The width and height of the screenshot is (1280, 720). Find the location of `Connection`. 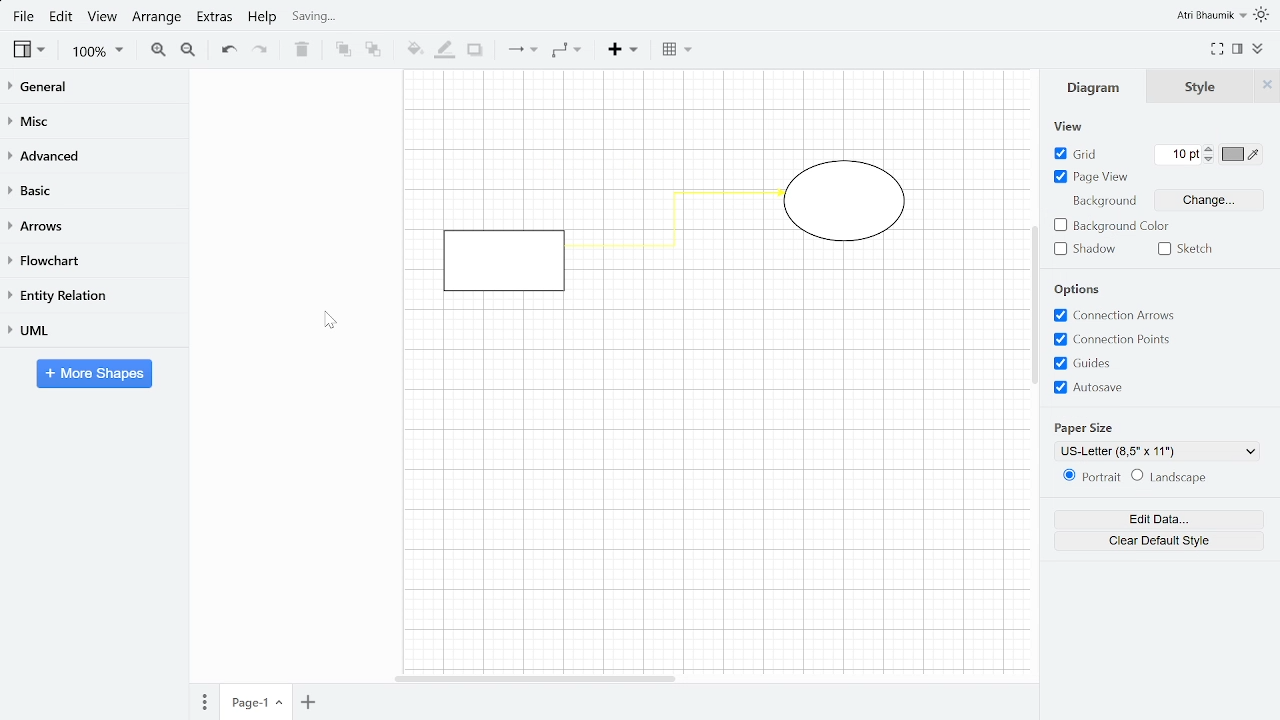

Connection is located at coordinates (523, 50).